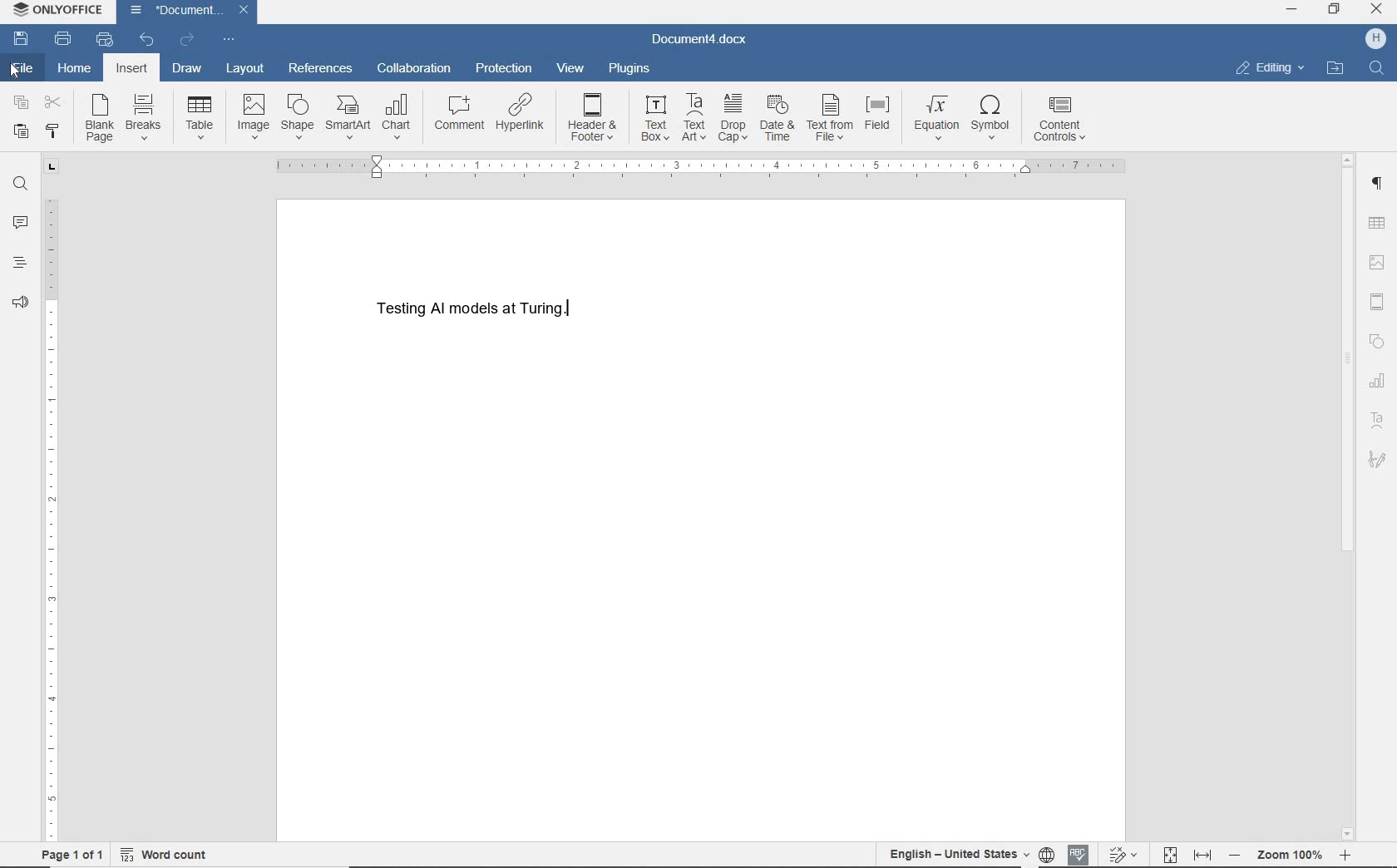  Describe the element at coordinates (1377, 9) in the screenshot. I see `CLOSE` at that location.